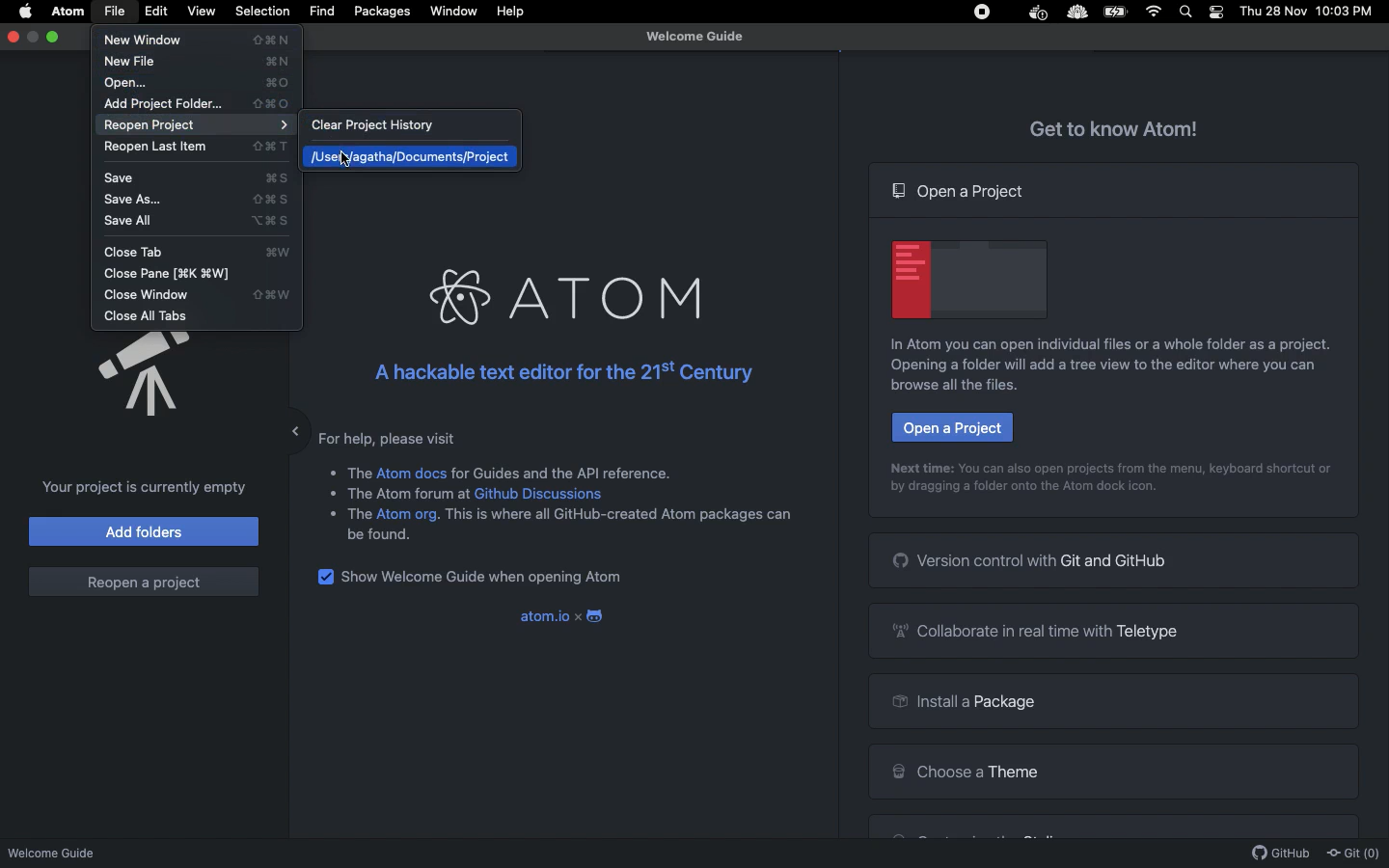 This screenshot has width=1389, height=868. Describe the element at coordinates (26, 10) in the screenshot. I see `Apple logo` at that location.